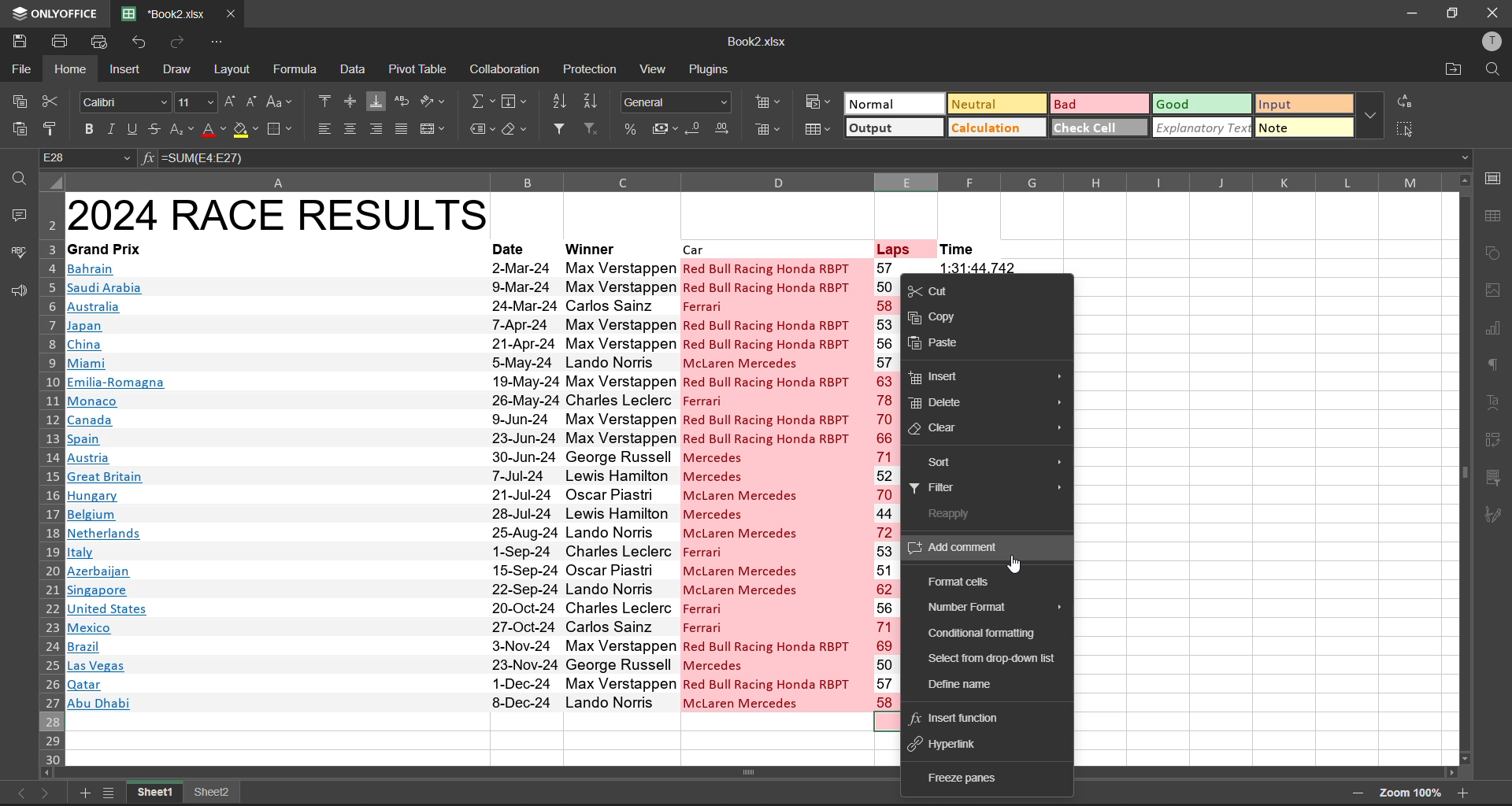 The image size is (1512, 806). I want to click on fields, so click(510, 105).